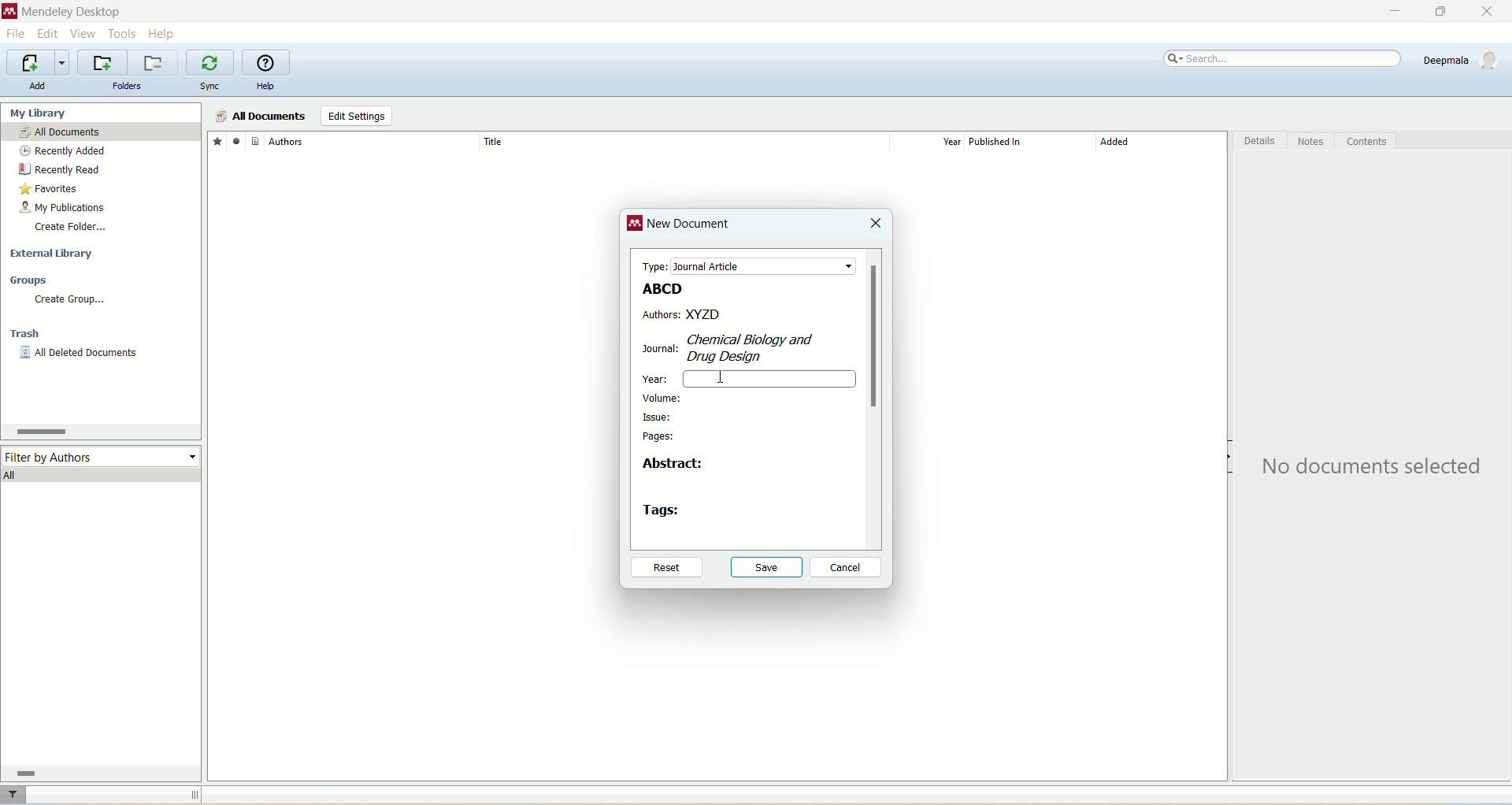  What do you see at coordinates (265, 87) in the screenshot?
I see `help` at bounding box center [265, 87].